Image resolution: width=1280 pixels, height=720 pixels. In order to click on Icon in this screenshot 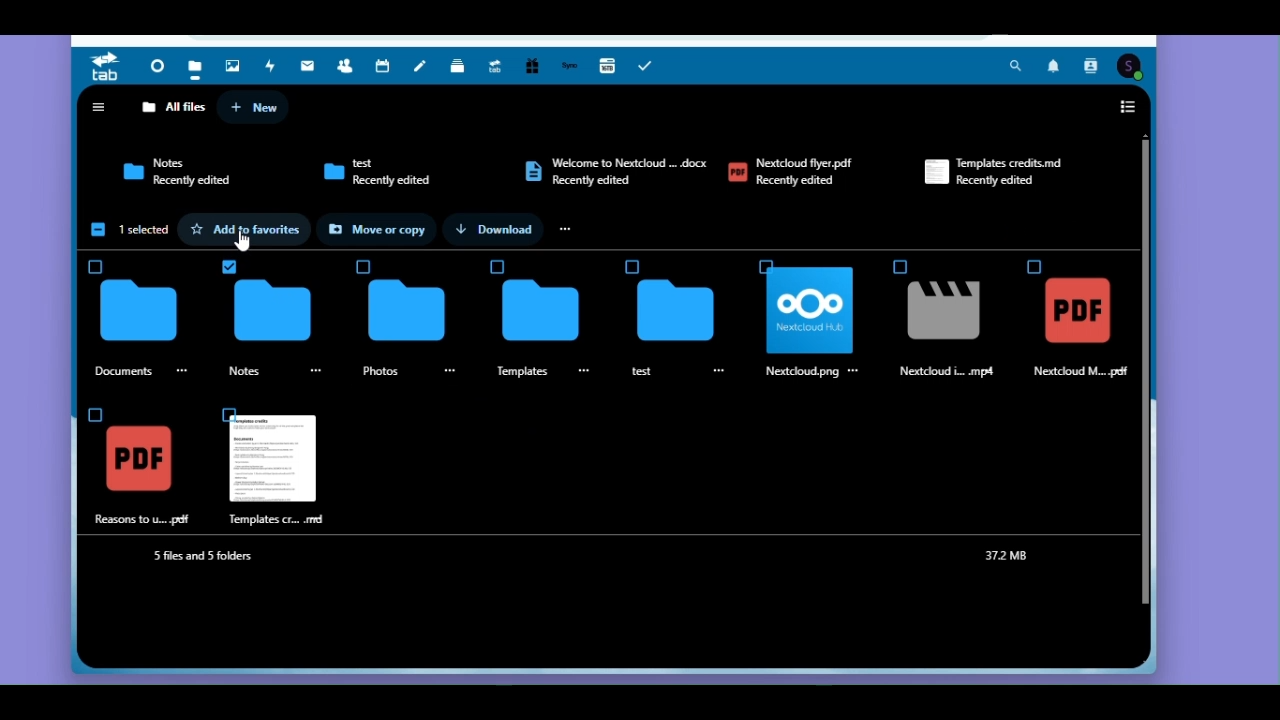, I will do `click(944, 312)`.